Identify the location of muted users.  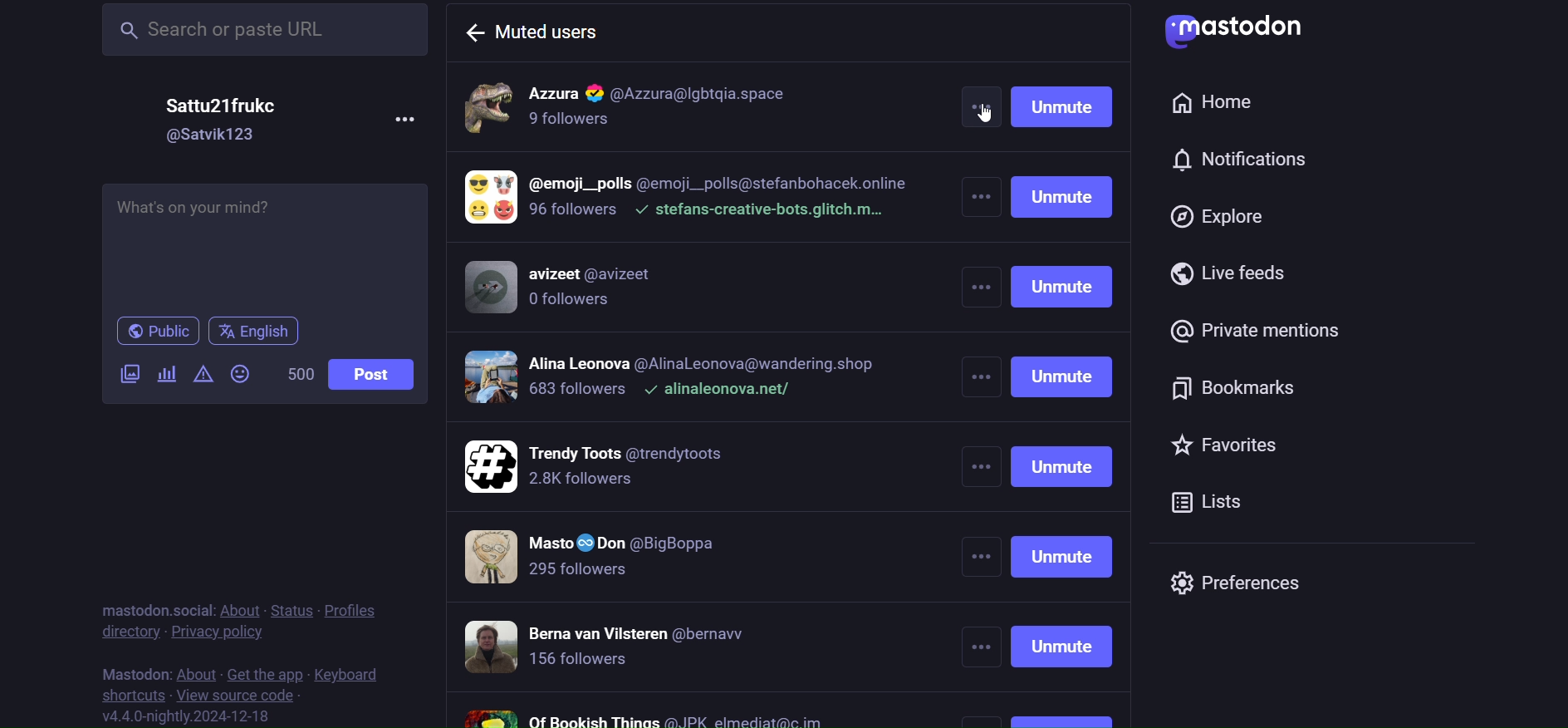
(541, 30).